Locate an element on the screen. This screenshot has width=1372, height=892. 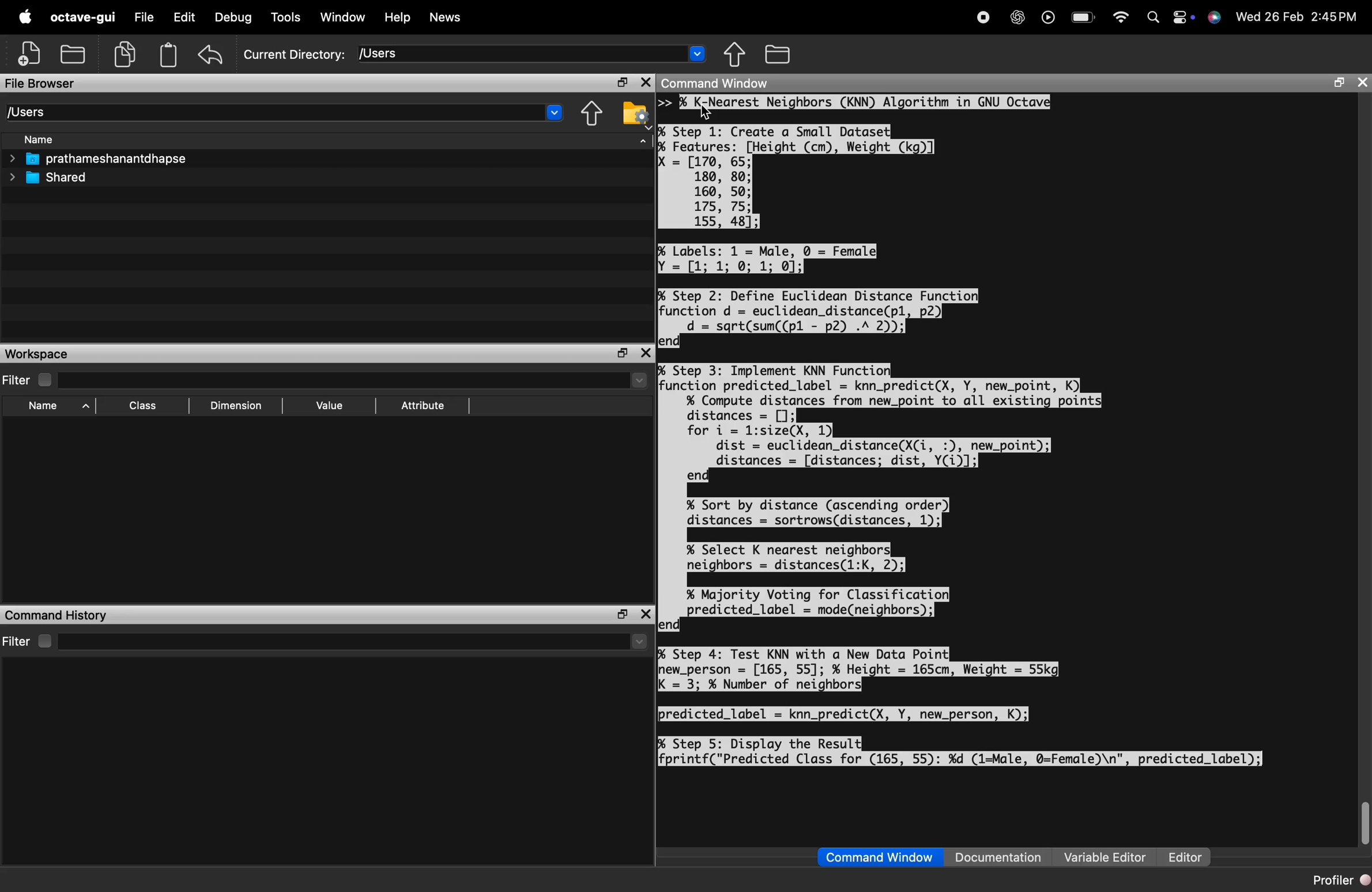
files is located at coordinates (786, 52).